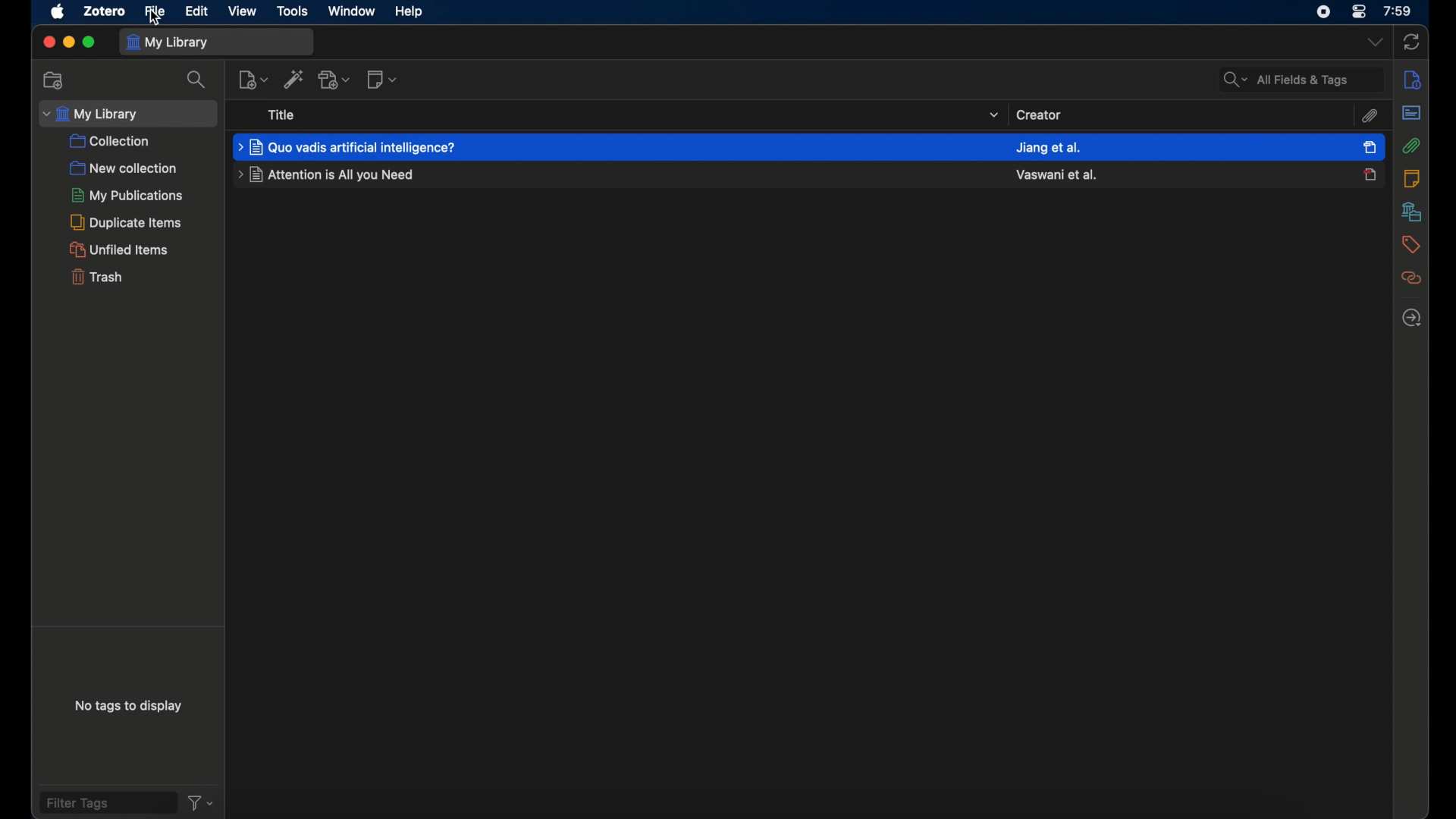 The width and height of the screenshot is (1456, 819). What do you see at coordinates (196, 80) in the screenshot?
I see `search` at bounding box center [196, 80].